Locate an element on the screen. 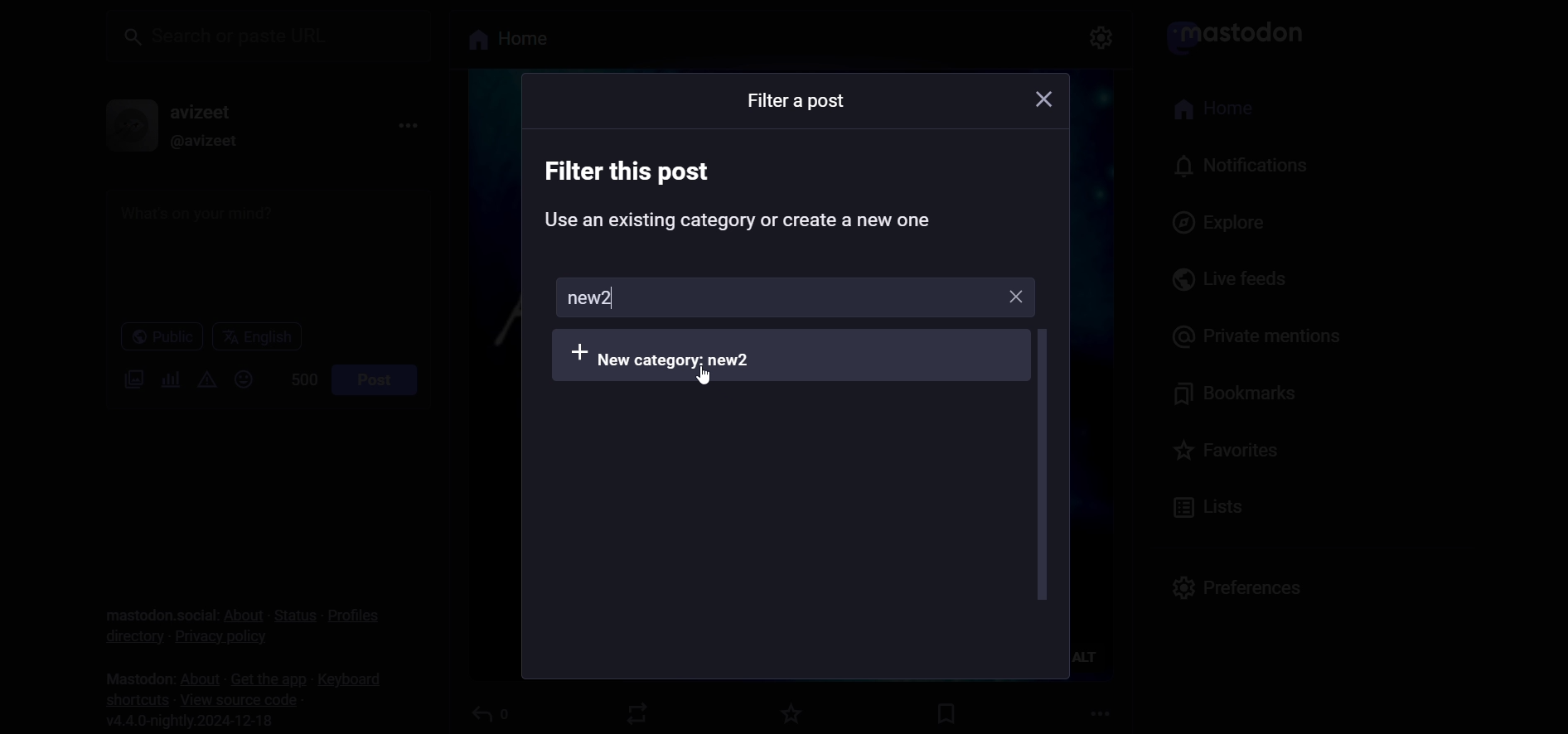  close is located at coordinates (1038, 102).